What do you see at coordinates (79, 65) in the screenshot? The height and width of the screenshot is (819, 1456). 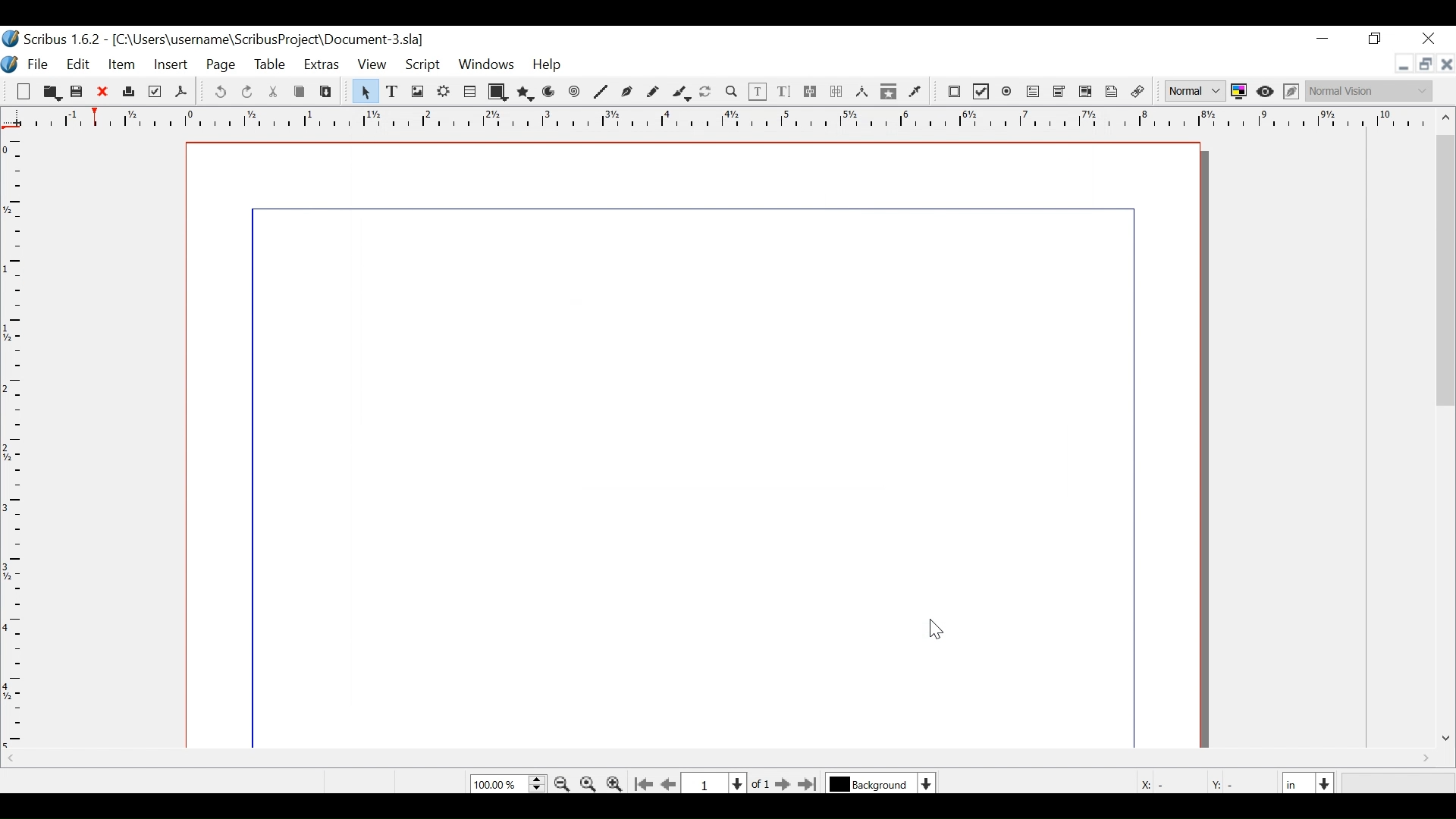 I see `Edit` at bounding box center [79, 65].